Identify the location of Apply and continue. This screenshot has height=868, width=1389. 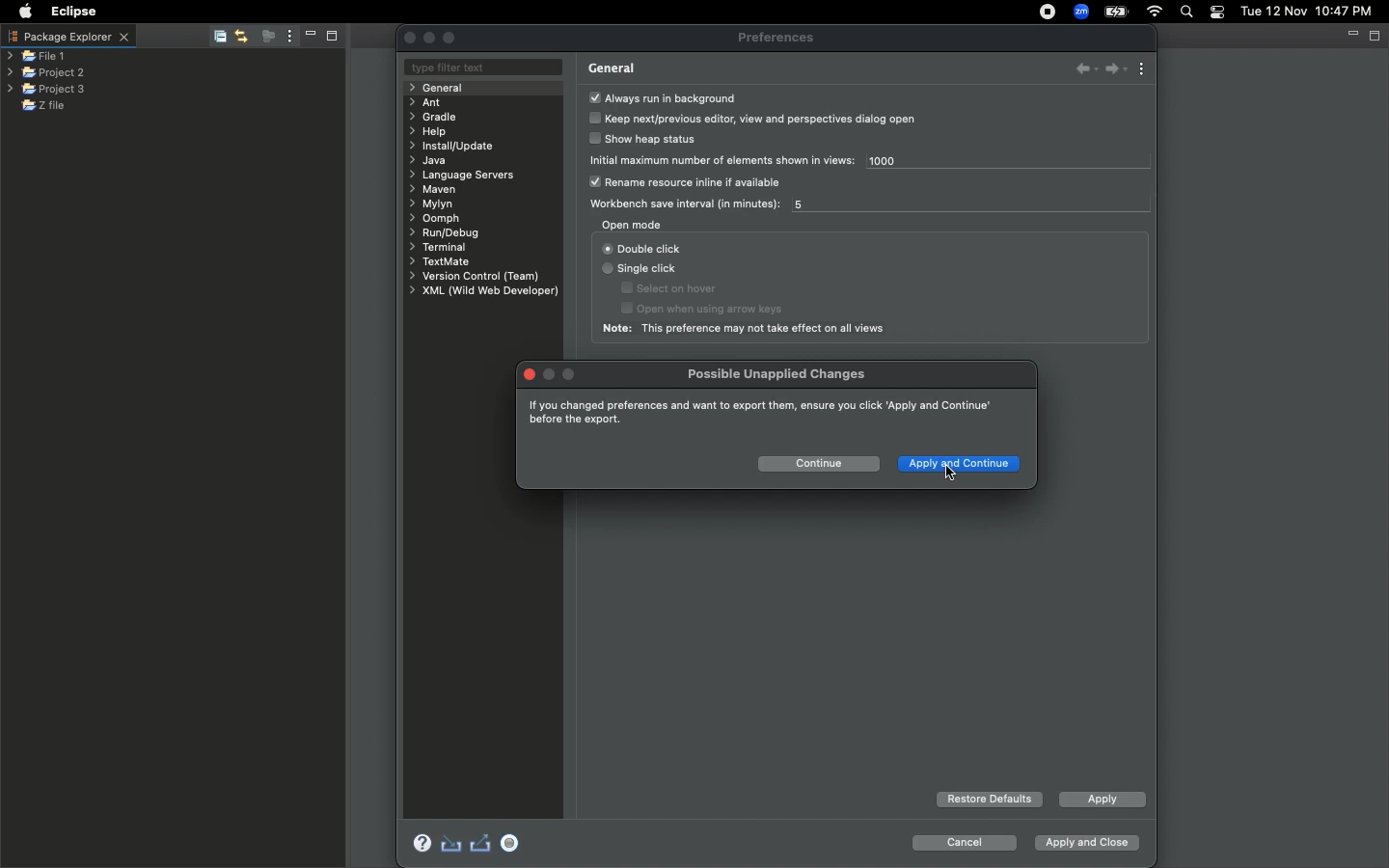
(962, 466).